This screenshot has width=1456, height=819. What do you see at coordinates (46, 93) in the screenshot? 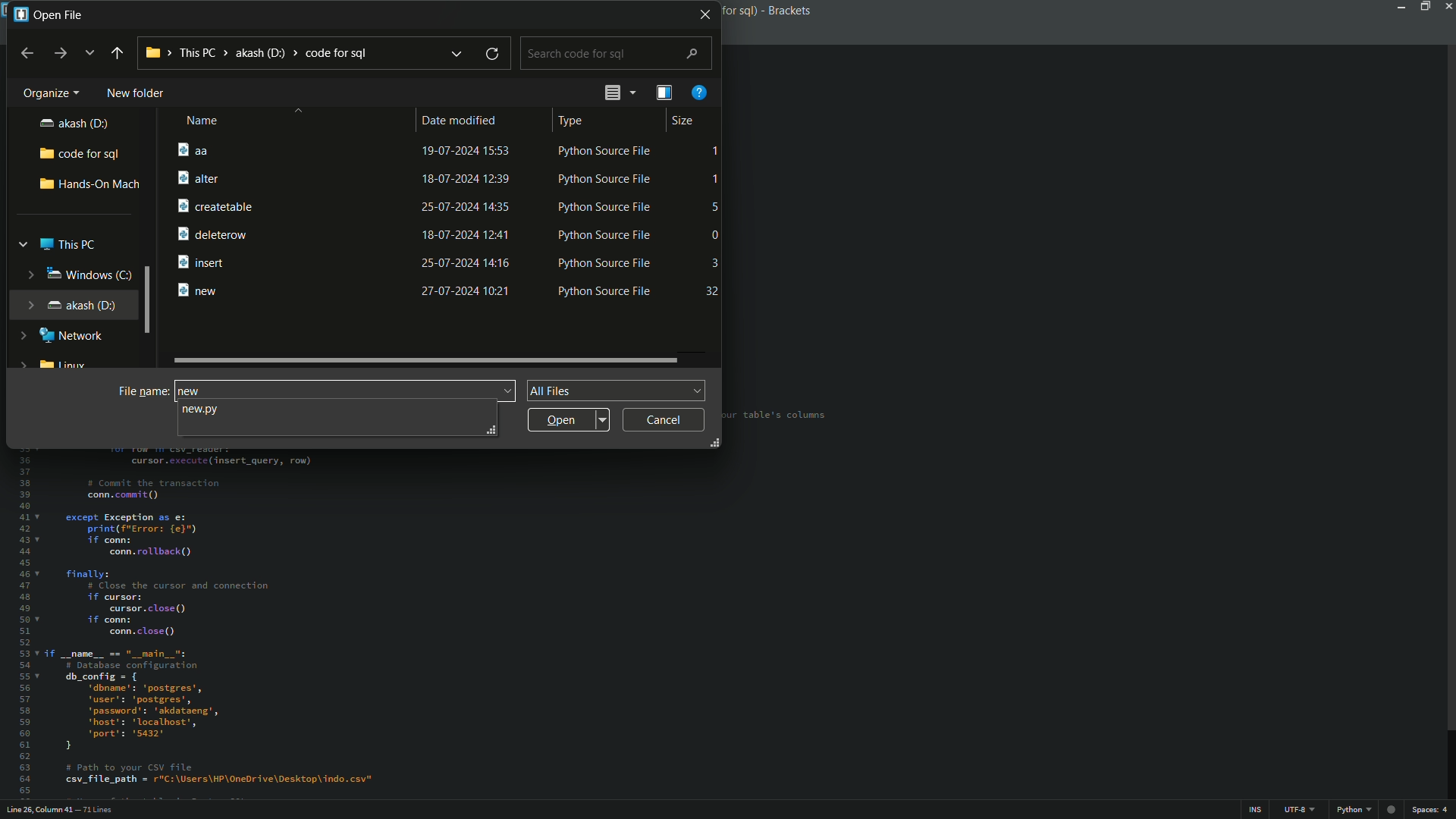
I see `organize` at bounding box center [46, 93].